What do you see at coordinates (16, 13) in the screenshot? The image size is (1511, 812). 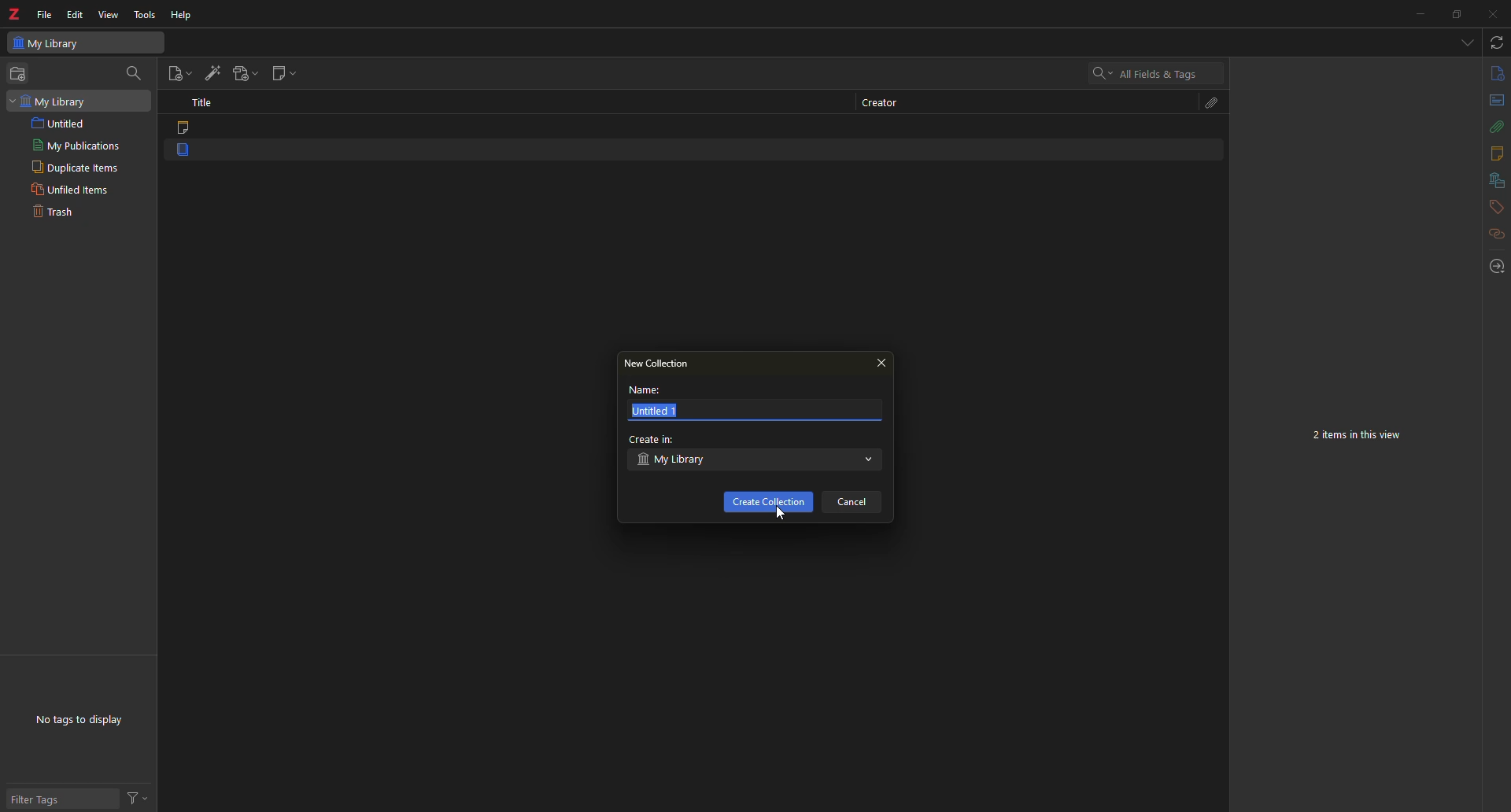 I see `z` at bounding box center [16, 13].